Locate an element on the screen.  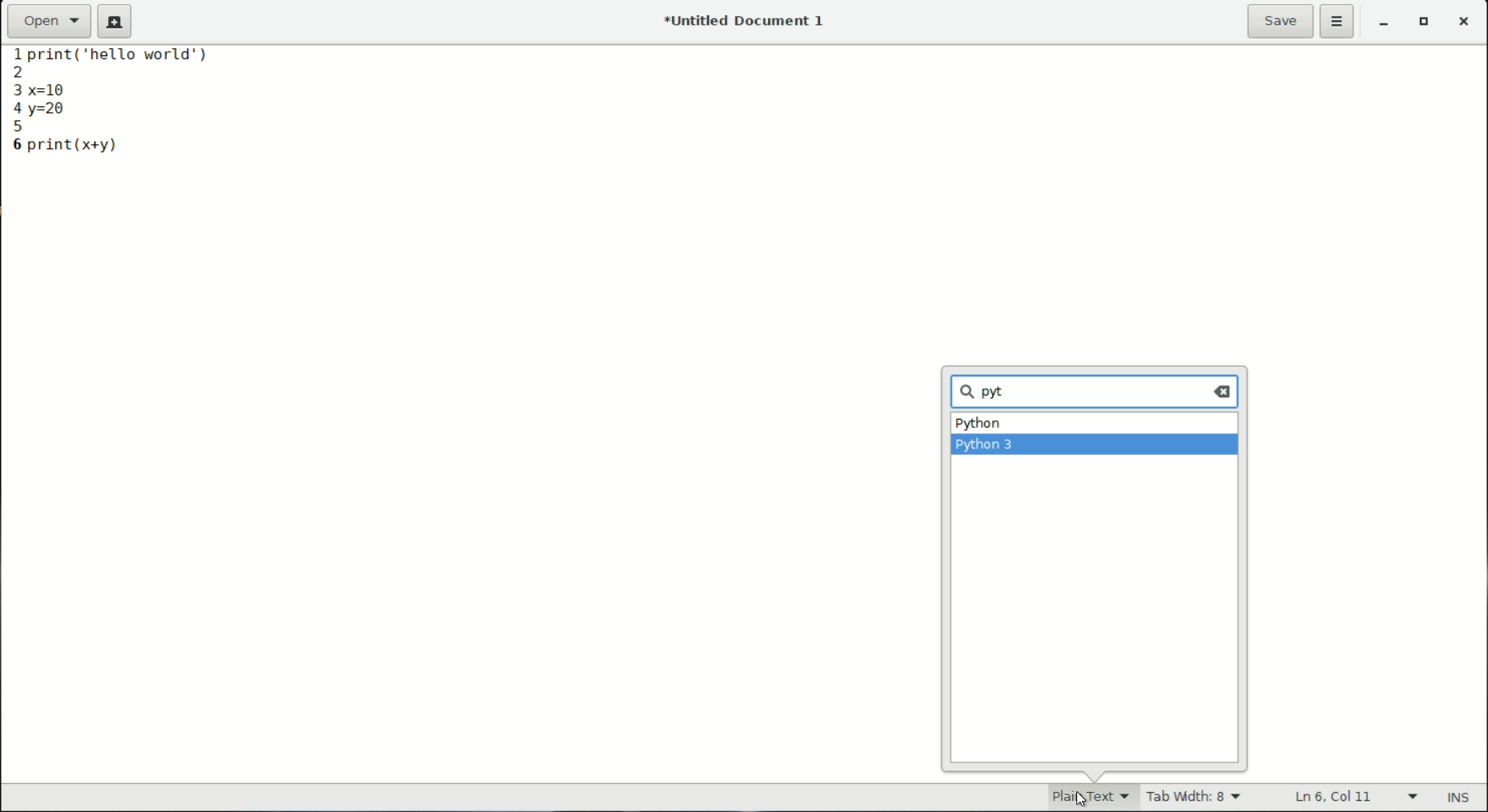
cursor is located at coordinates (1079, 796).